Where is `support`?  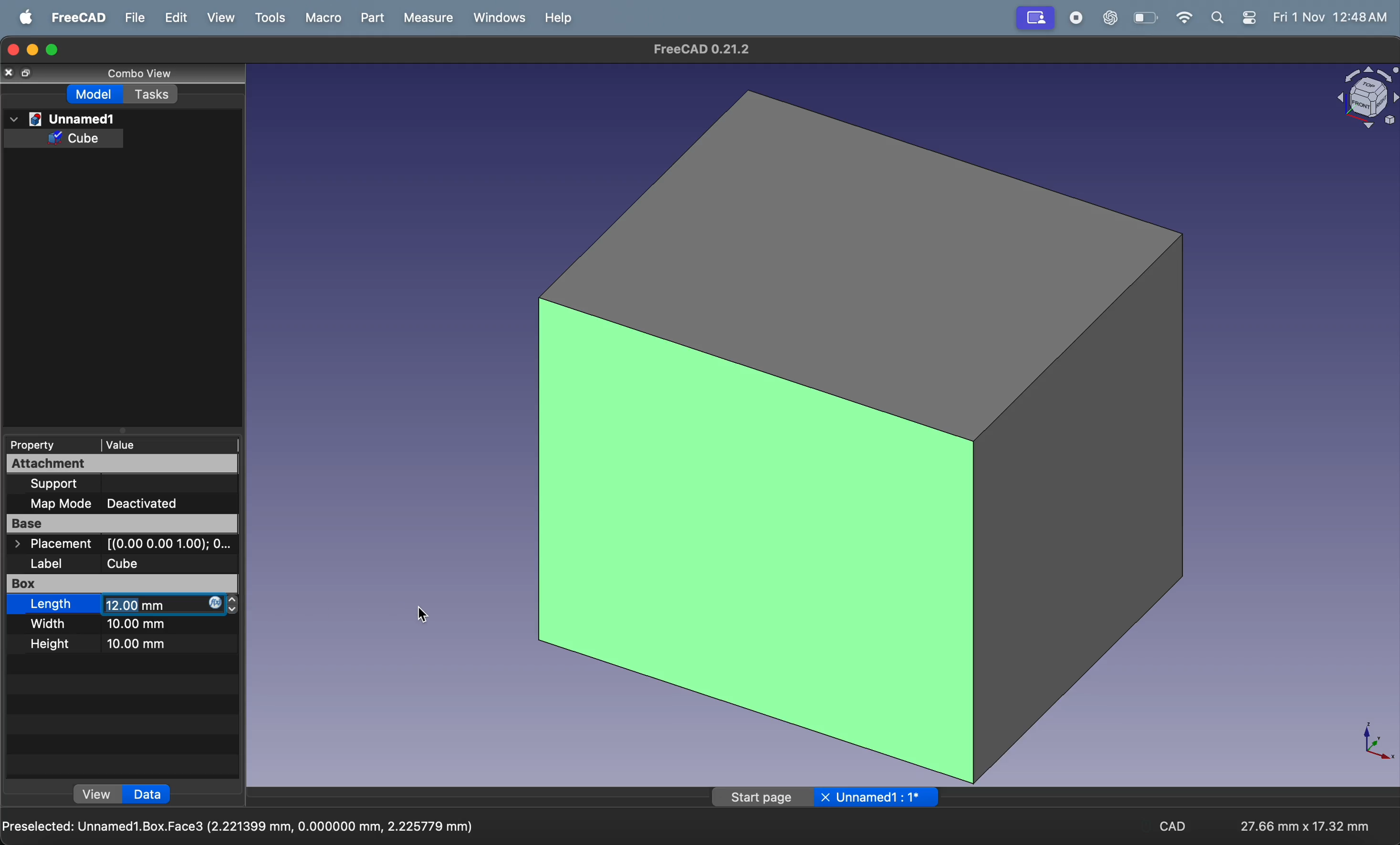 support is located at coordinates (65, 483).